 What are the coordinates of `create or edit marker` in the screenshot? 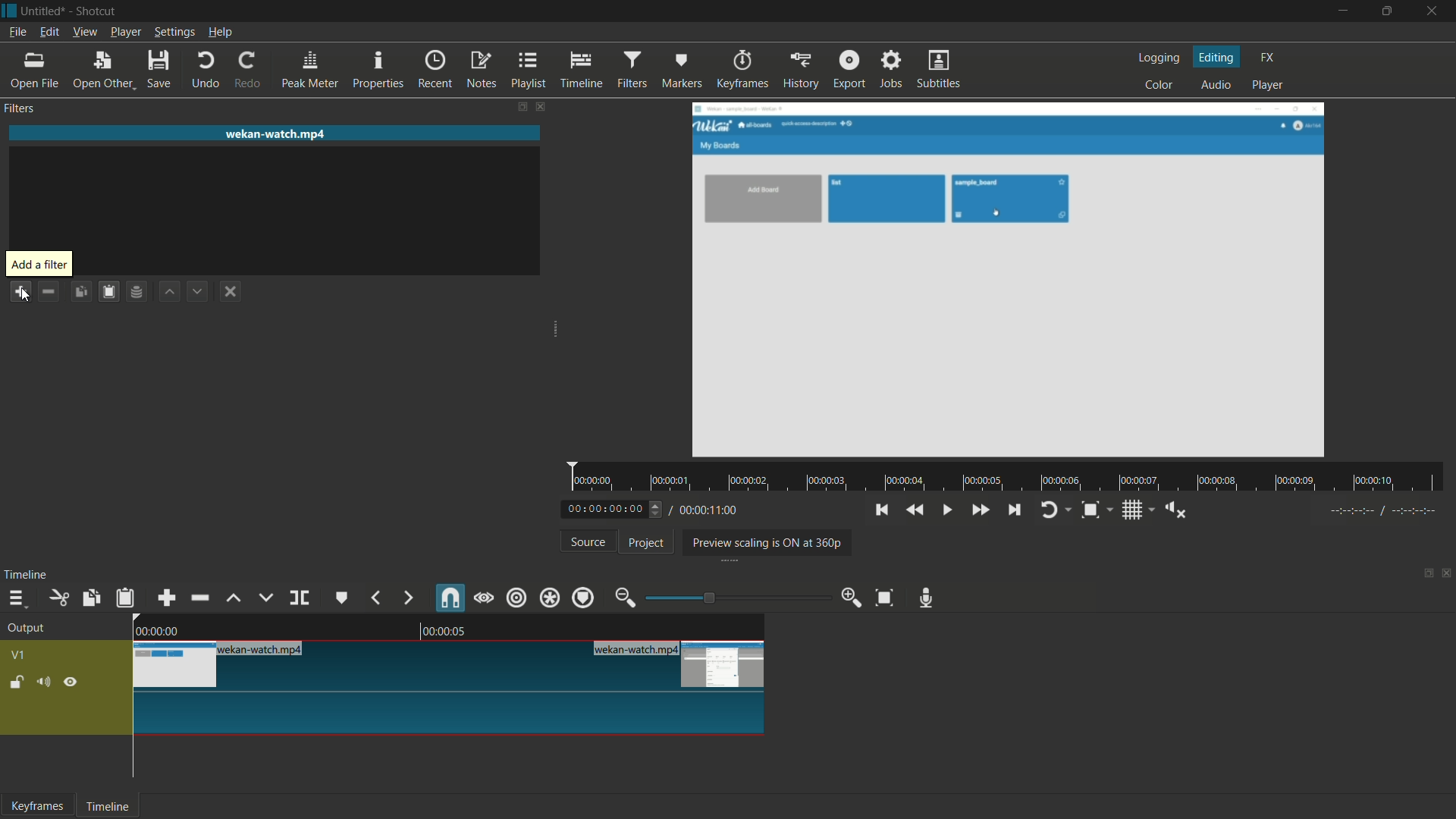 It's located at (340, 598).